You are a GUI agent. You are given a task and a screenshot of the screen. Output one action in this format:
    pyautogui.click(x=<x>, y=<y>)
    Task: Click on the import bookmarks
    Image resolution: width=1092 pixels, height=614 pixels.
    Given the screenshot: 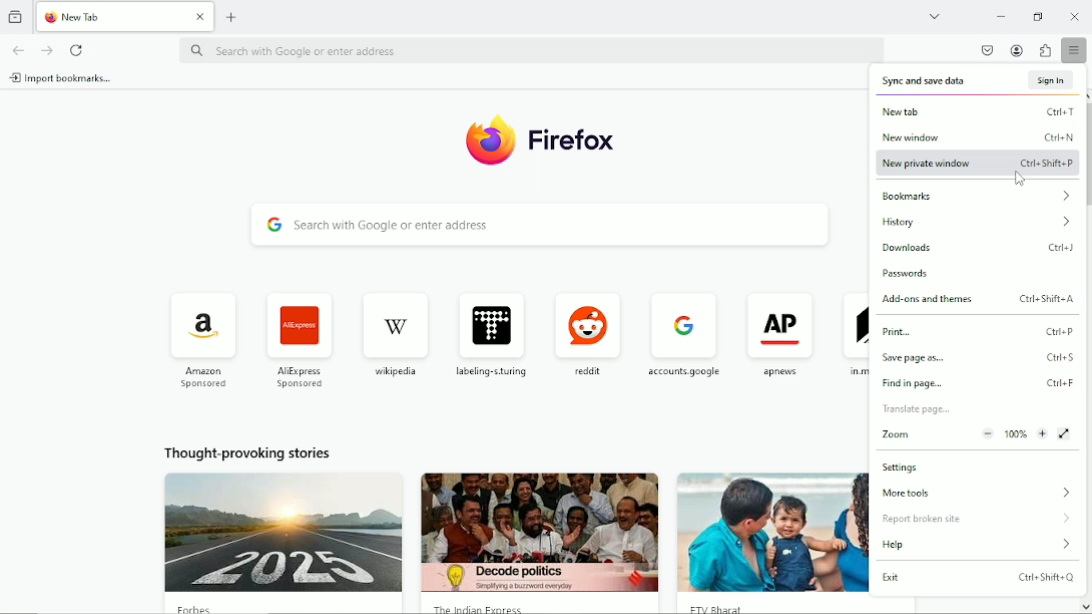 What is the action you would take?
    pyautogui.click(x=60, y=78)
    